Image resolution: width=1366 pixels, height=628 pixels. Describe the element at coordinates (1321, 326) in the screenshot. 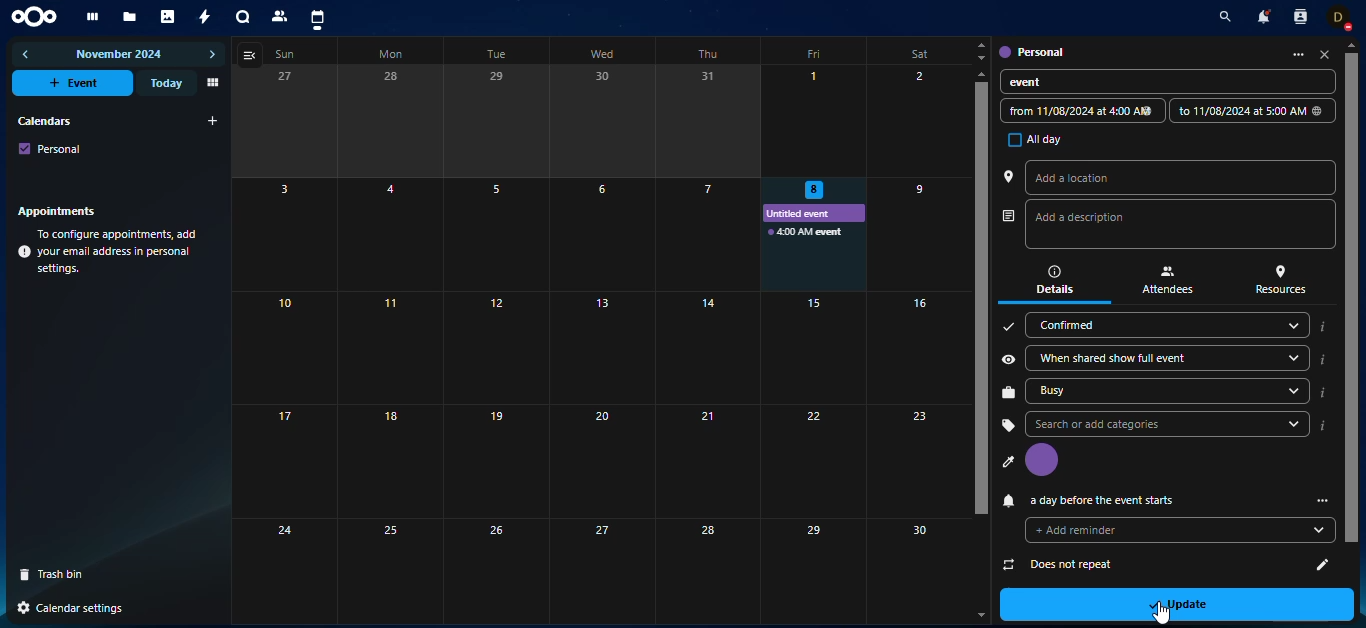

I see `i` at that location.